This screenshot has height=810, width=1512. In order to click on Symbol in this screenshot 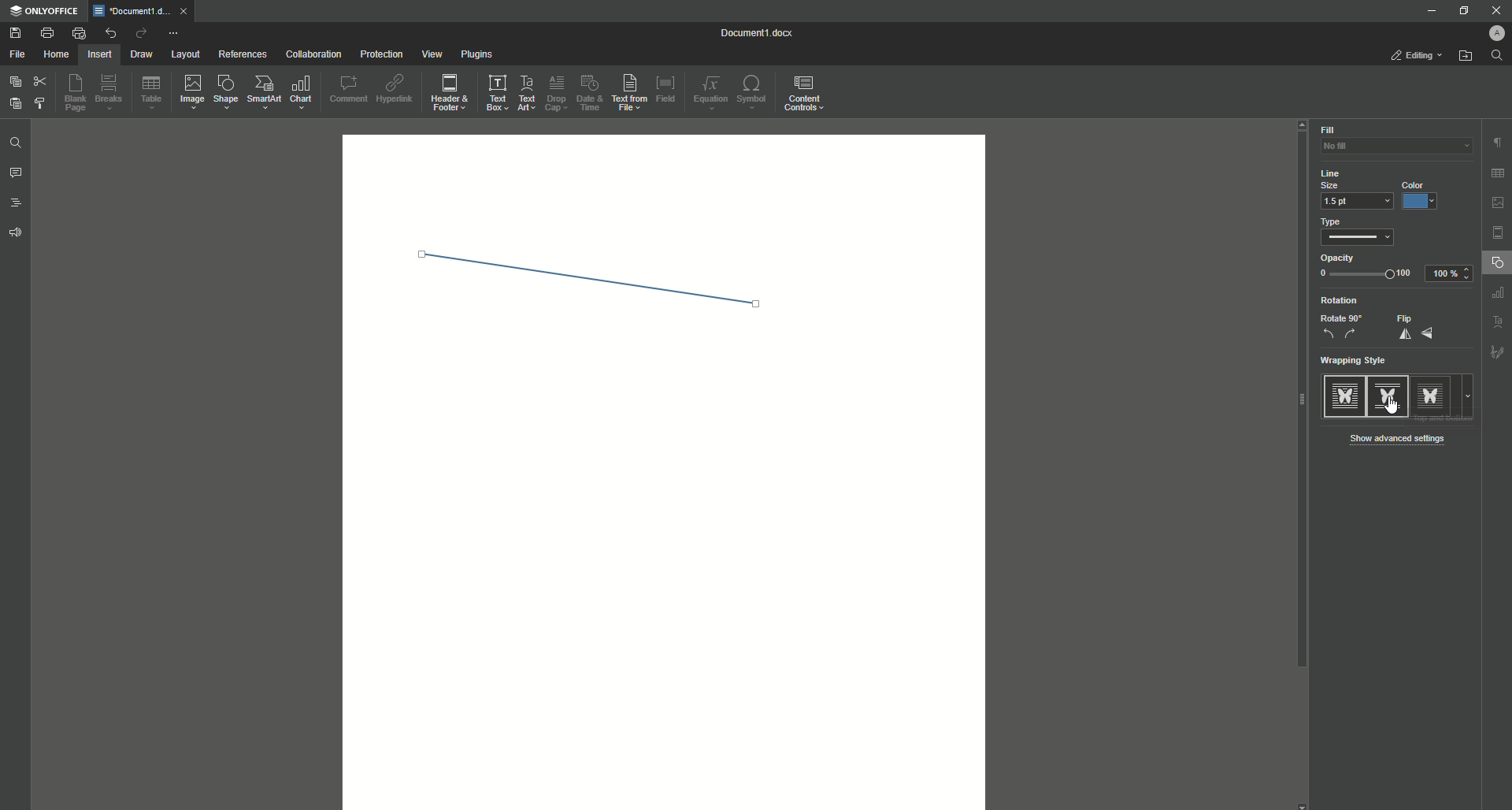, I will do `click(754, 94)`.